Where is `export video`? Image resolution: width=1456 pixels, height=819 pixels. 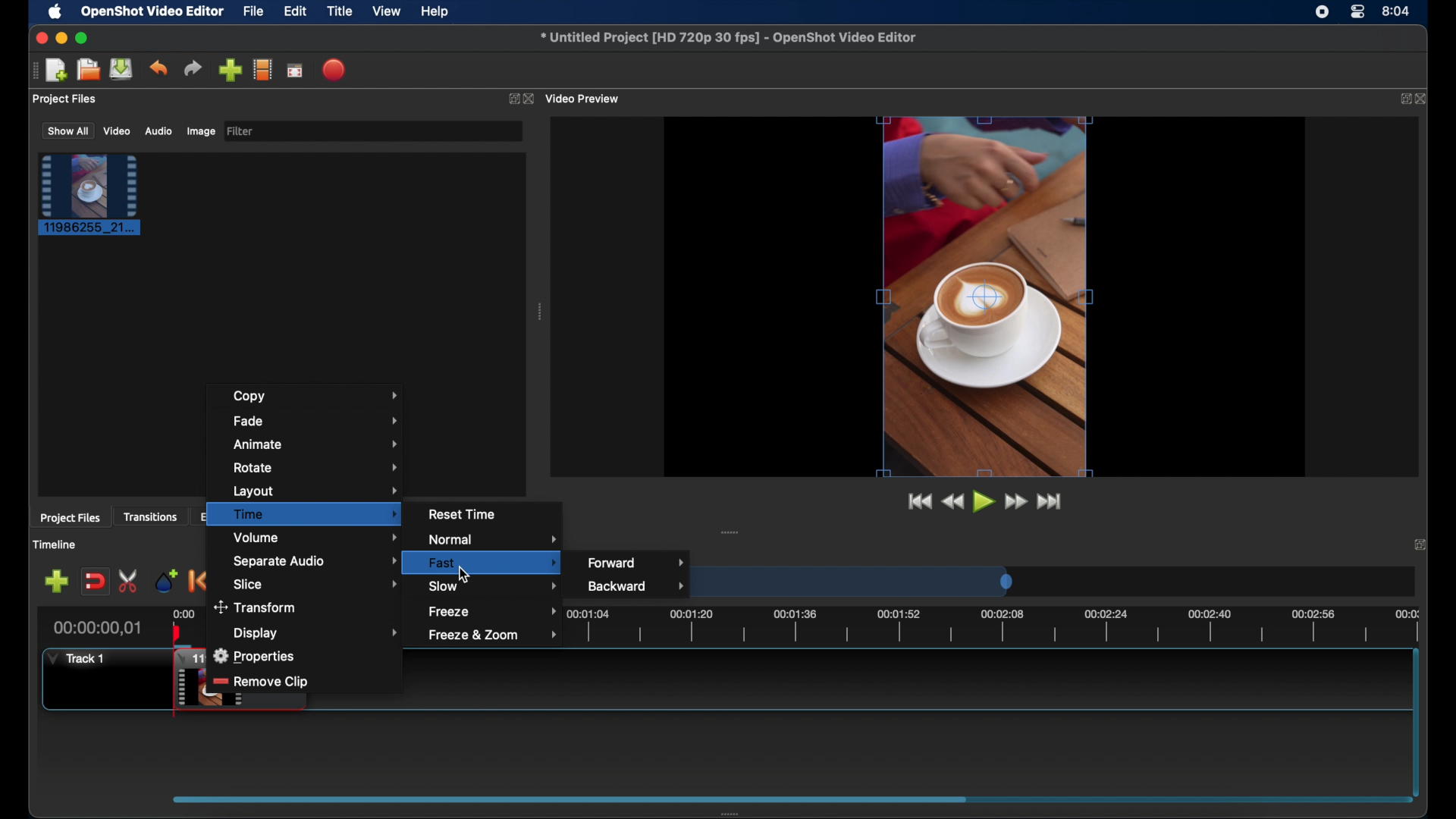
export video is located at coordinates (335, 70).